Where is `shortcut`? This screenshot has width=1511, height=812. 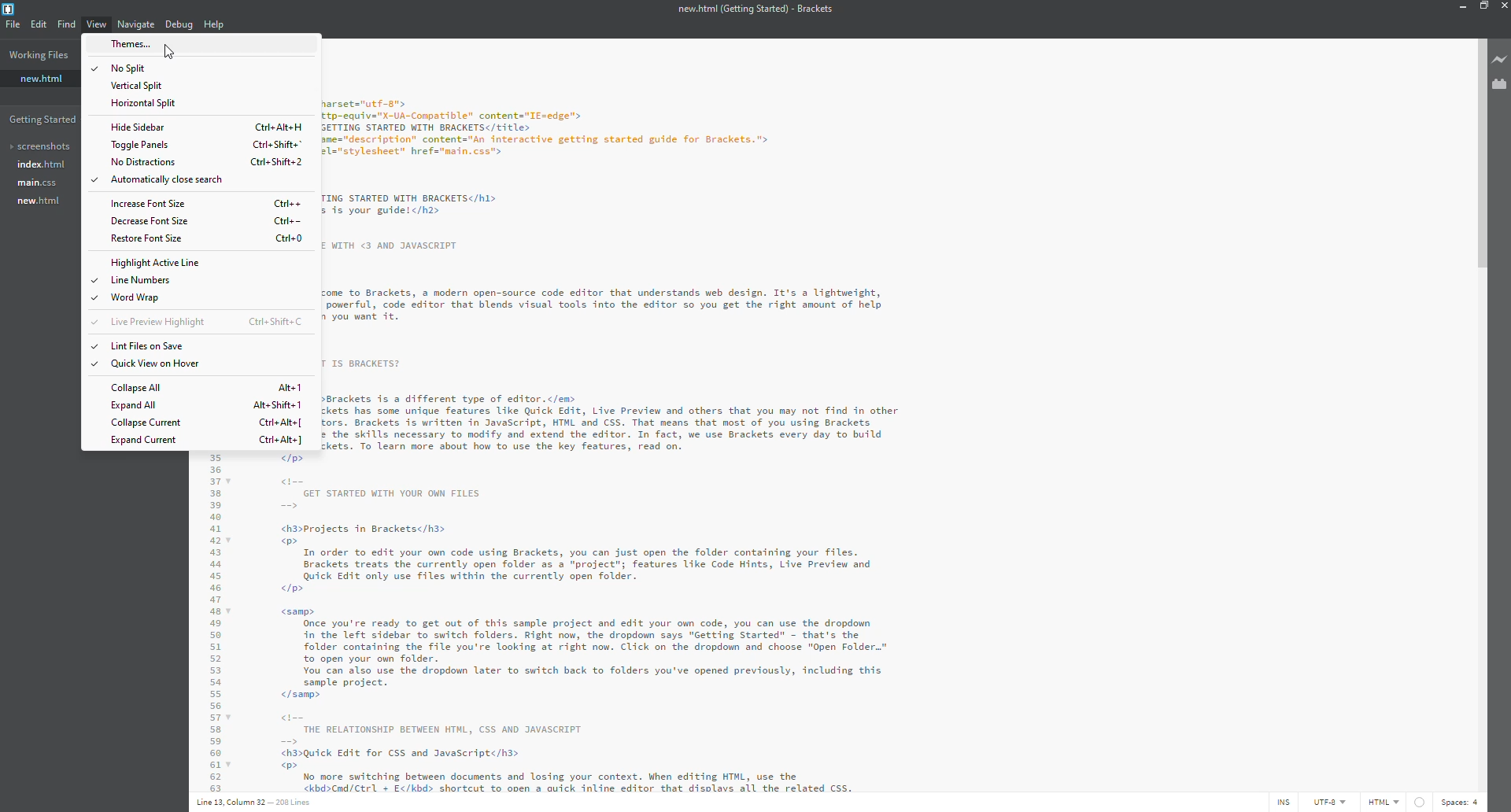 shortcut is located at coordinates (277, 162).